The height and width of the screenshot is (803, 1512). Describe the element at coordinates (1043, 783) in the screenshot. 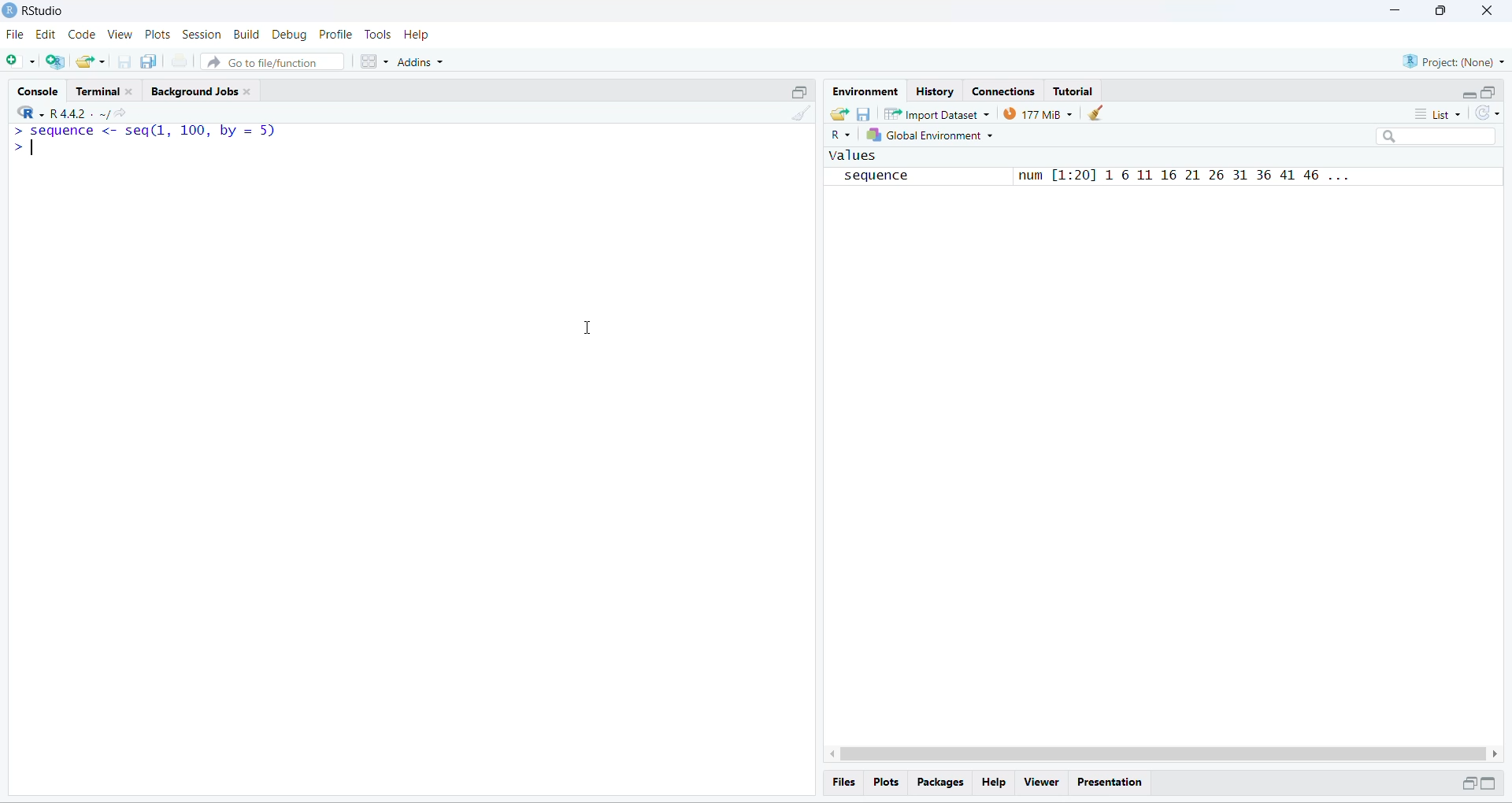

I see `viewer` at that location.